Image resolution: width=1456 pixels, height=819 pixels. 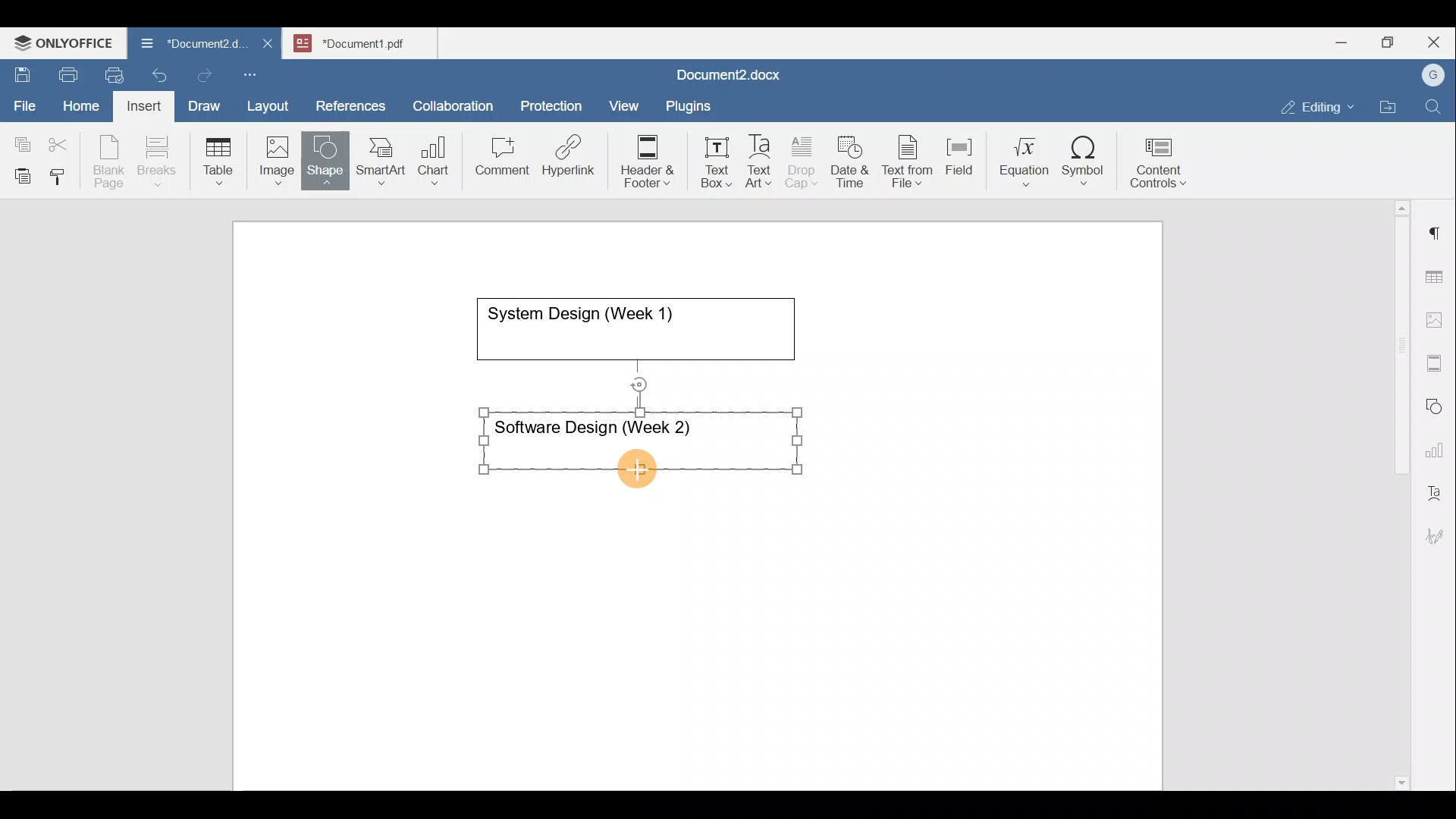 What do you see at coordinates (19, 172) in the screenshot?
I see `Paste` at bounding box center [19, 172].